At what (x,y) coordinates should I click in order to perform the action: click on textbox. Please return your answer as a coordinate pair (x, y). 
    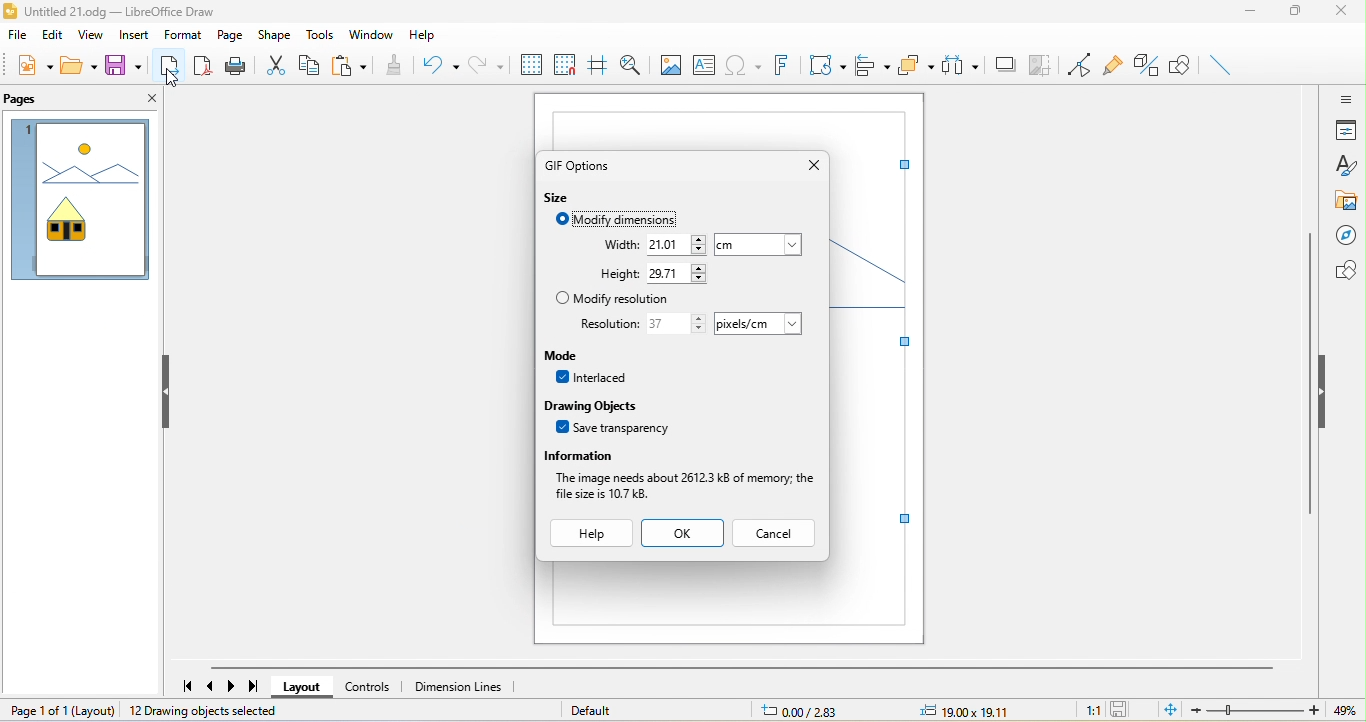
    Looking at the image, I should click on (707, 66).